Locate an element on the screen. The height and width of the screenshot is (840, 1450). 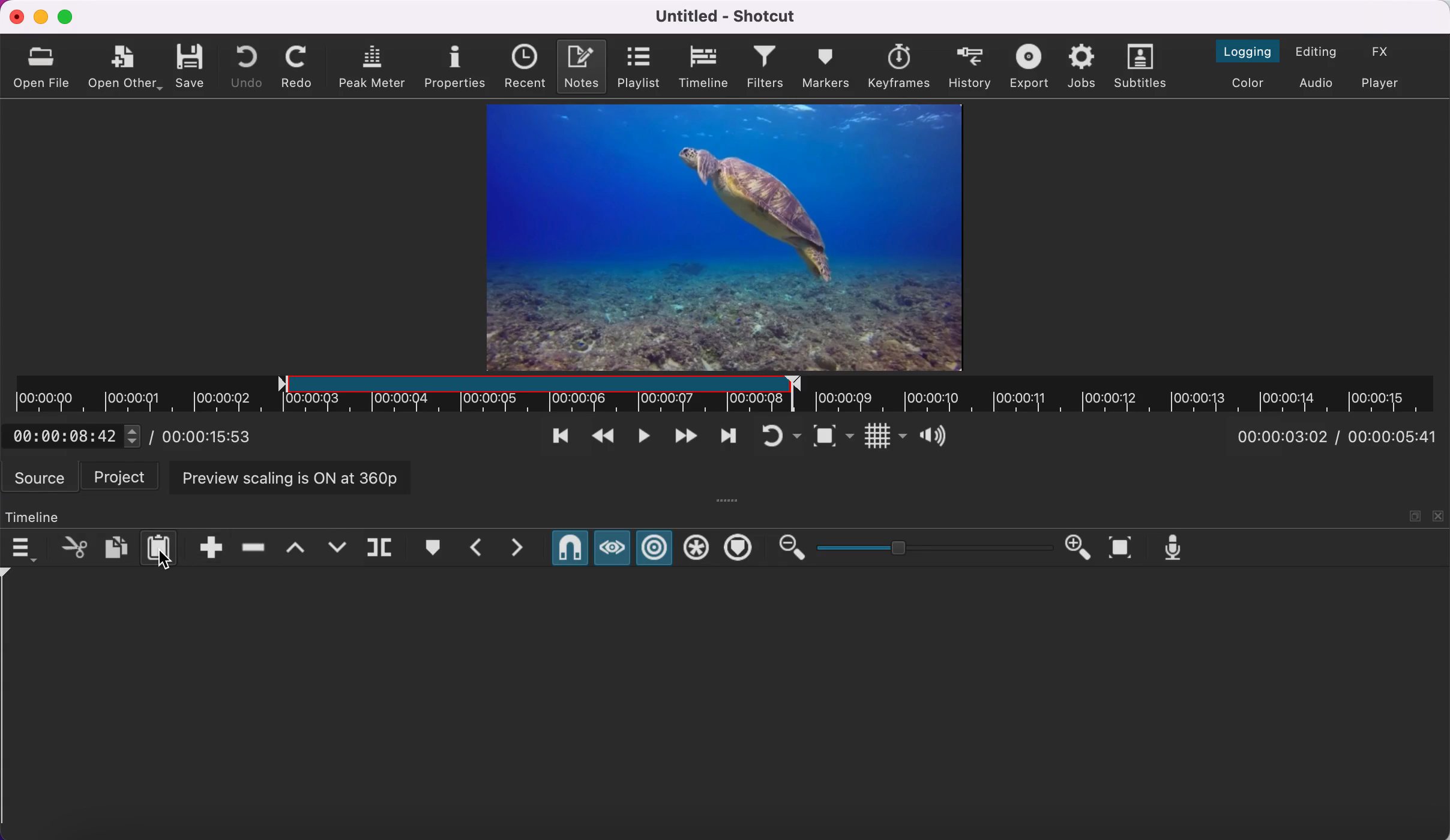
filters is located at coordinates (766, 67).